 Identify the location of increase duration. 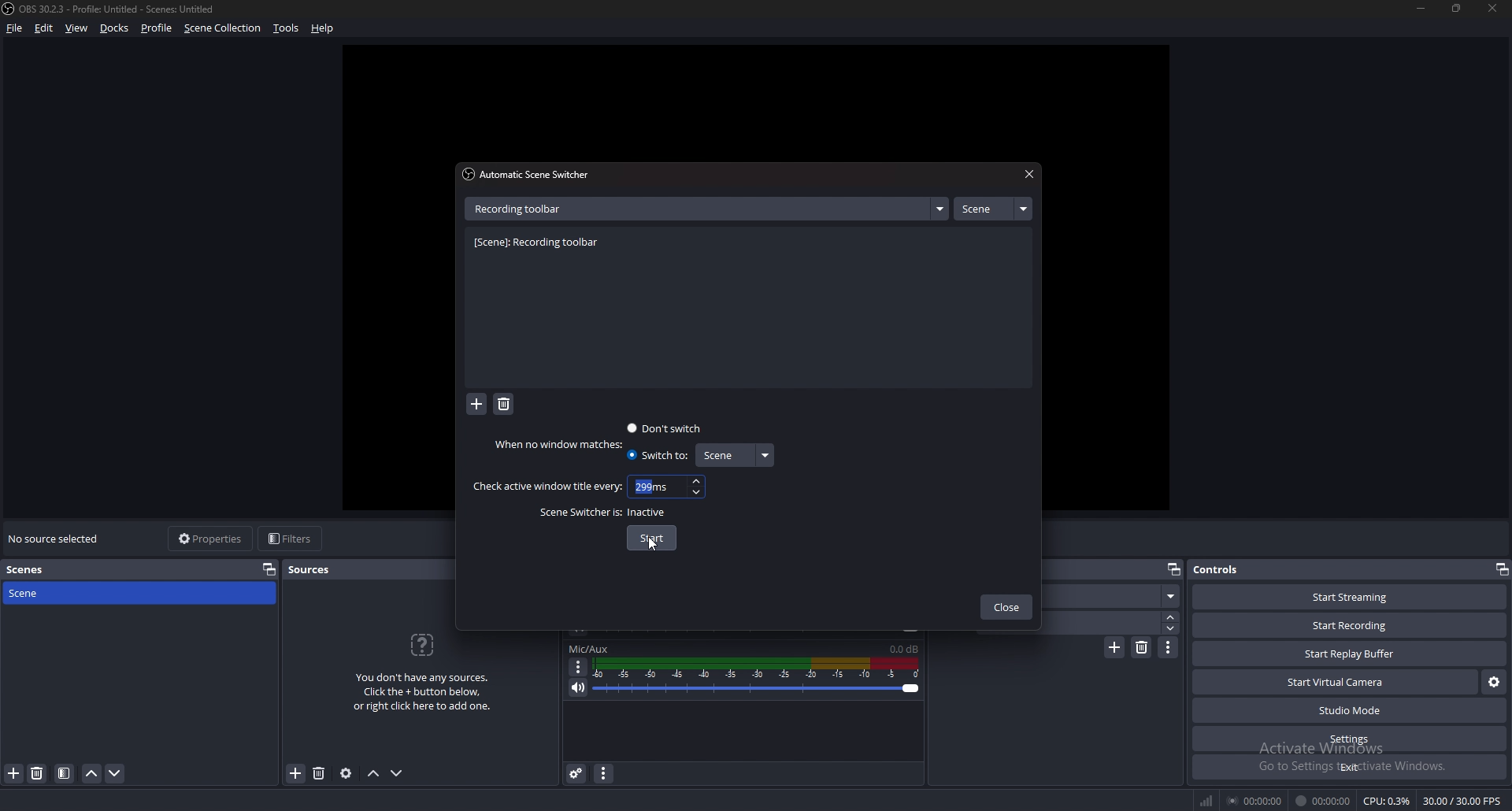
(1172, 616).